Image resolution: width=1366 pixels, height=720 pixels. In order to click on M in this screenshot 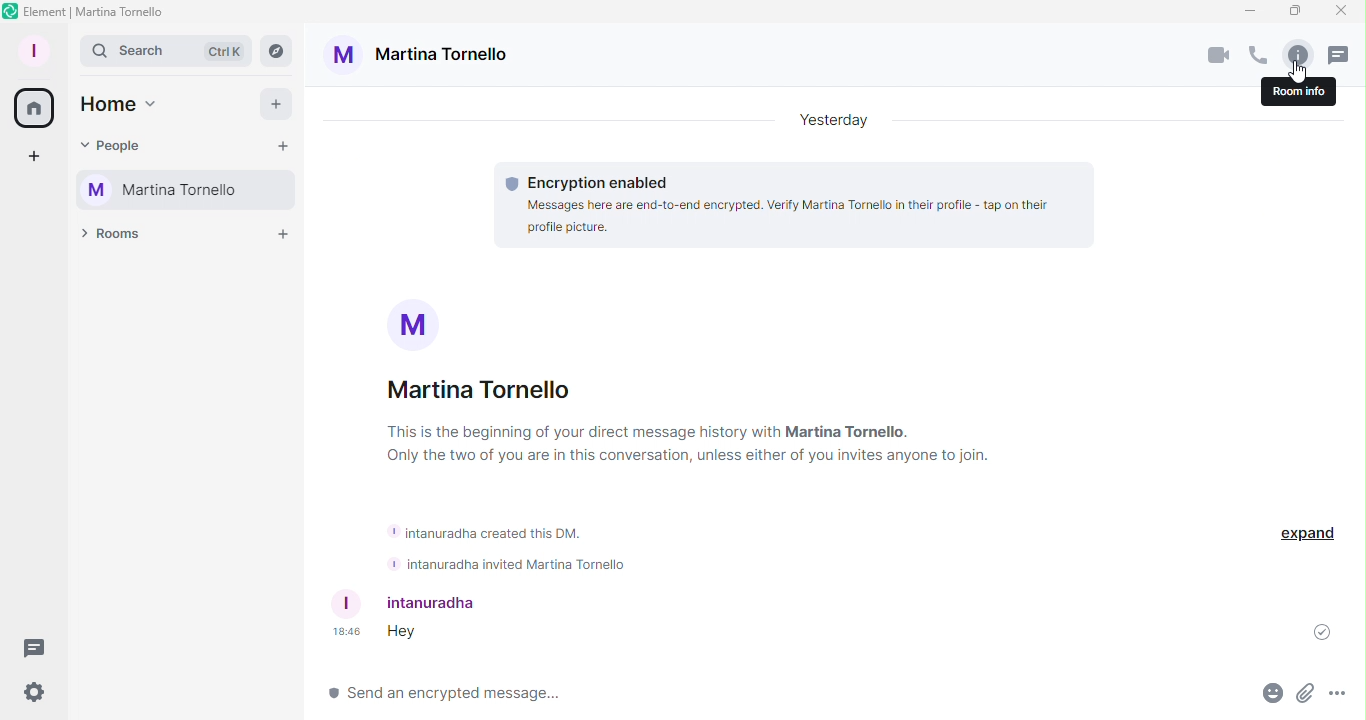, I will do `click(417, 322)`.